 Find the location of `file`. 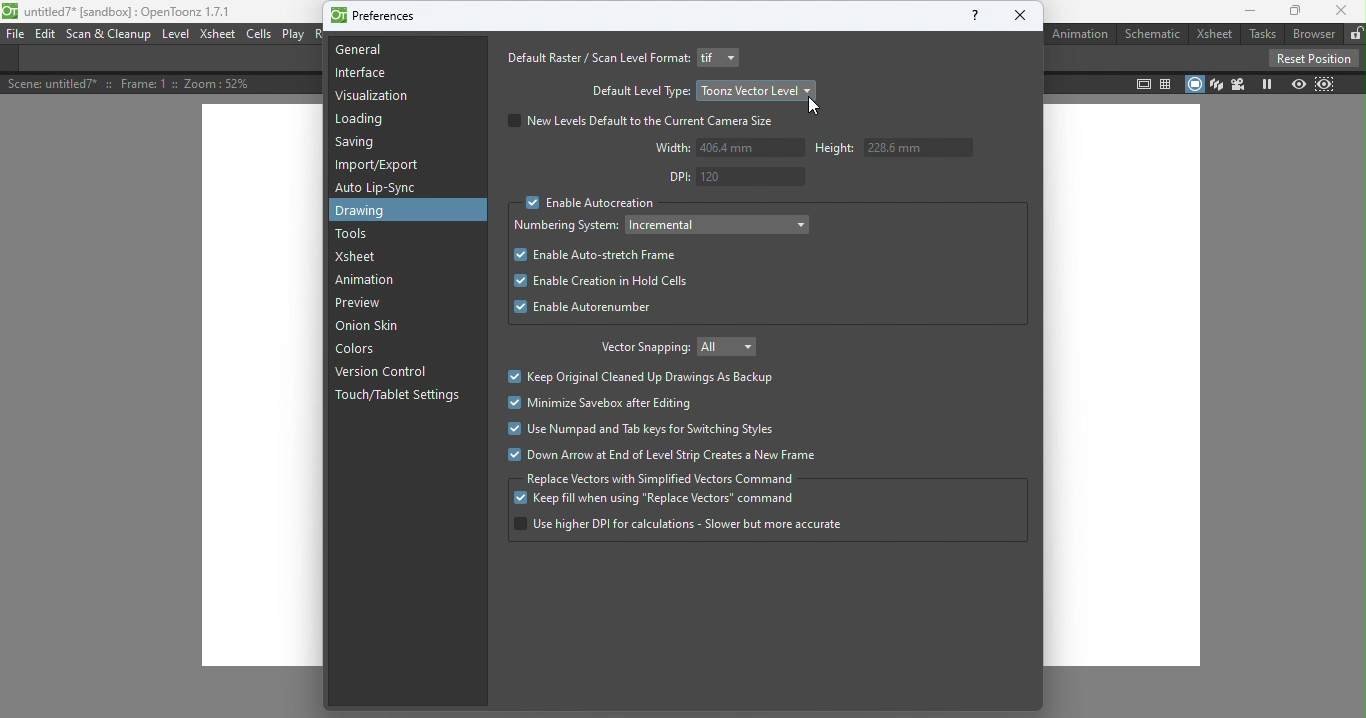

file is located at coordinates (14, 34).